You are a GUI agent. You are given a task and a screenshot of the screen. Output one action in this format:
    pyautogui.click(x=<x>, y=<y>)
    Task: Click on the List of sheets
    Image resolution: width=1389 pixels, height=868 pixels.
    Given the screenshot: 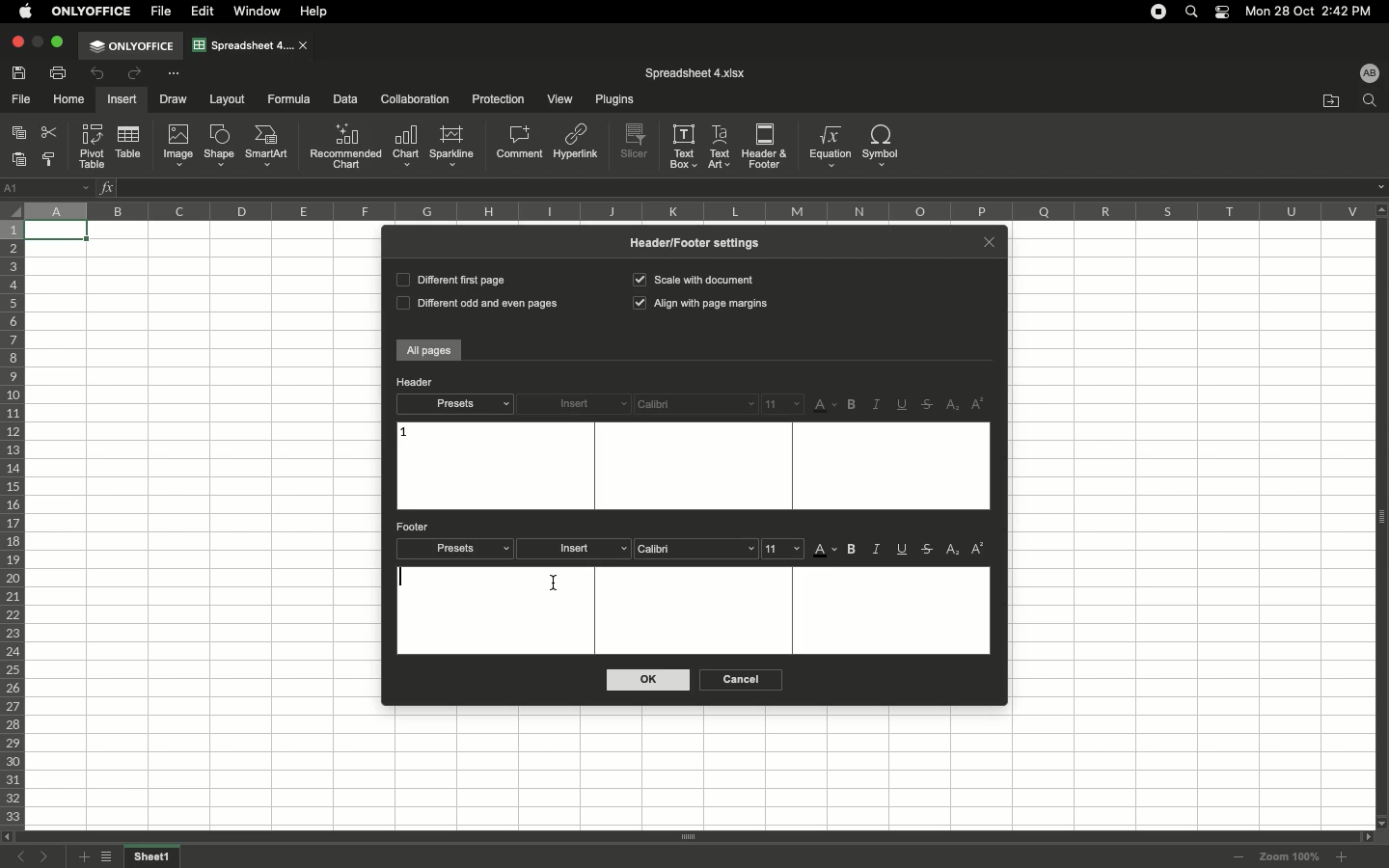 What is the action you would take?
    pyautogui.click(x=111, y=858)
    